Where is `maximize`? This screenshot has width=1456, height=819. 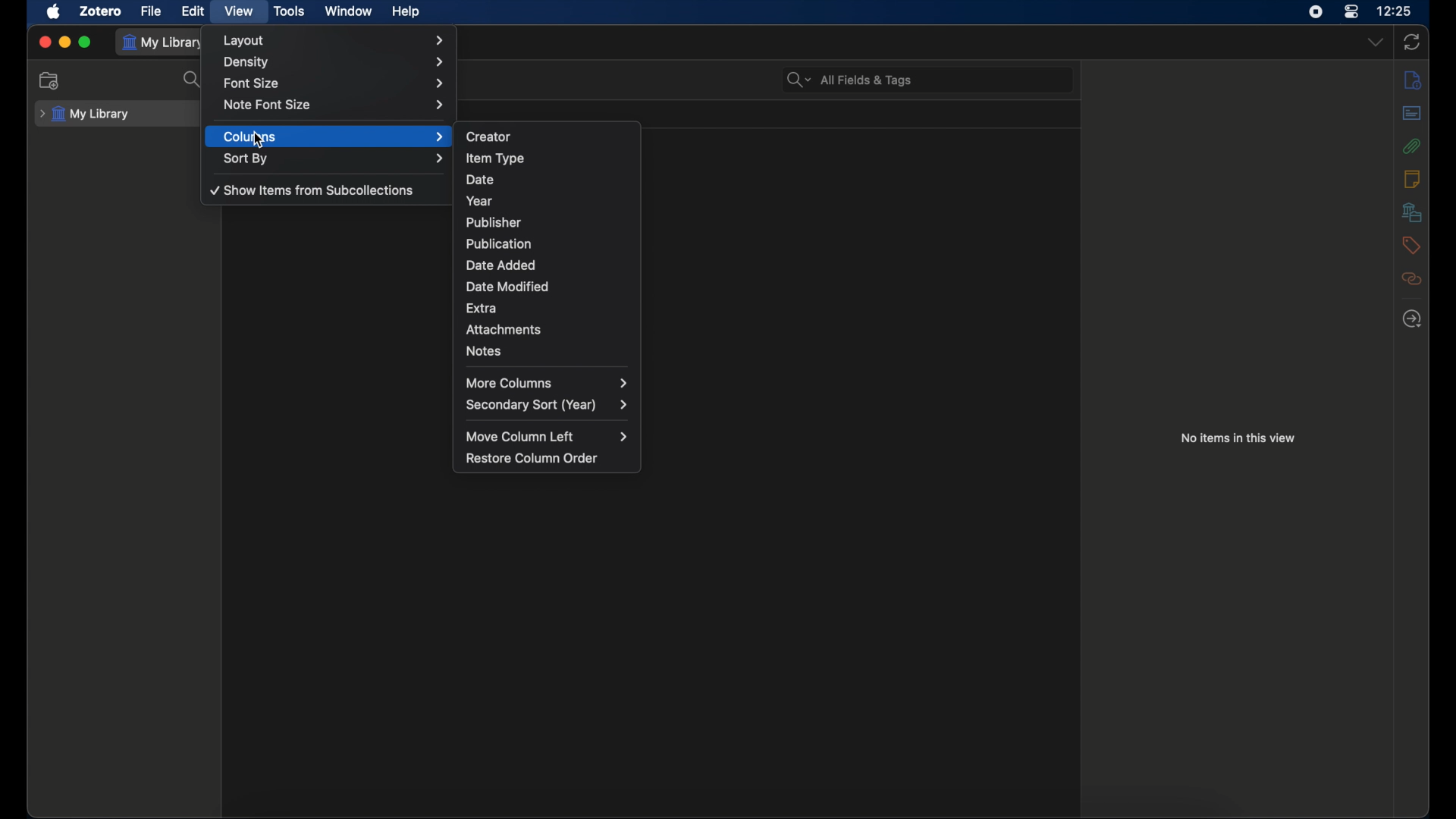 maximize is located at coordinates (86, 42).